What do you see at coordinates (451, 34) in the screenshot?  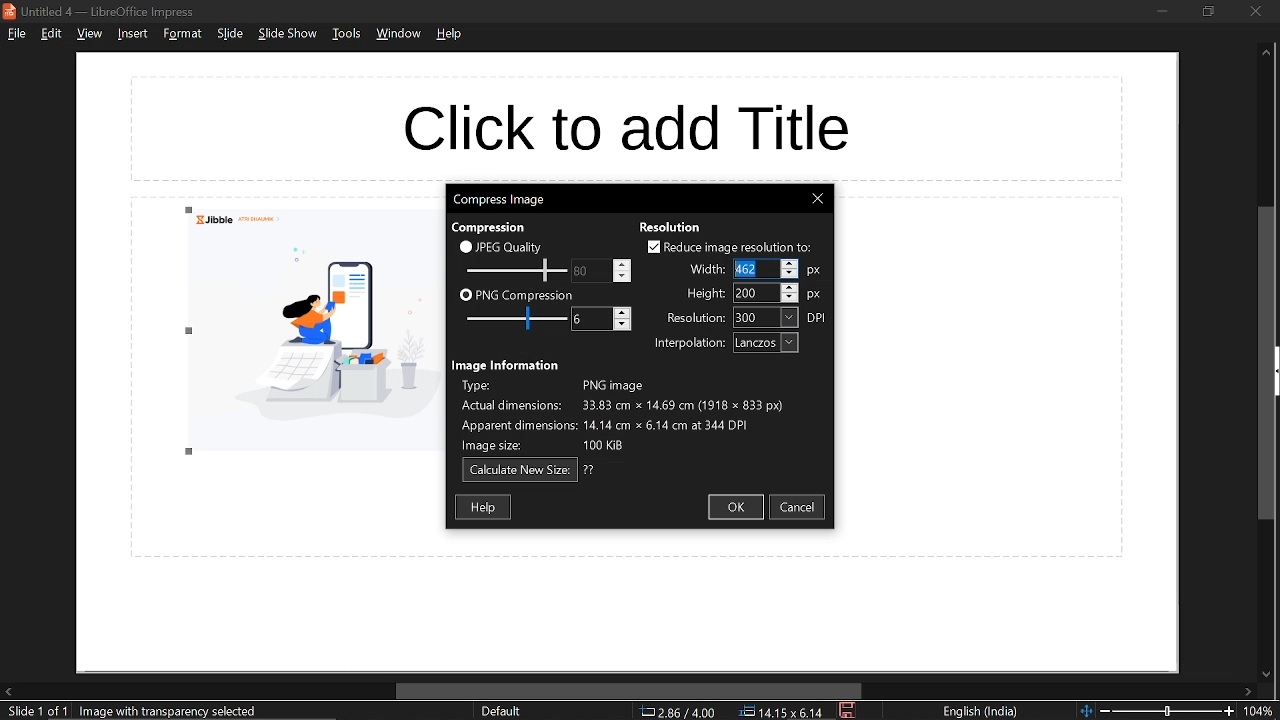 I see `help` at bounding box center [451, 34].